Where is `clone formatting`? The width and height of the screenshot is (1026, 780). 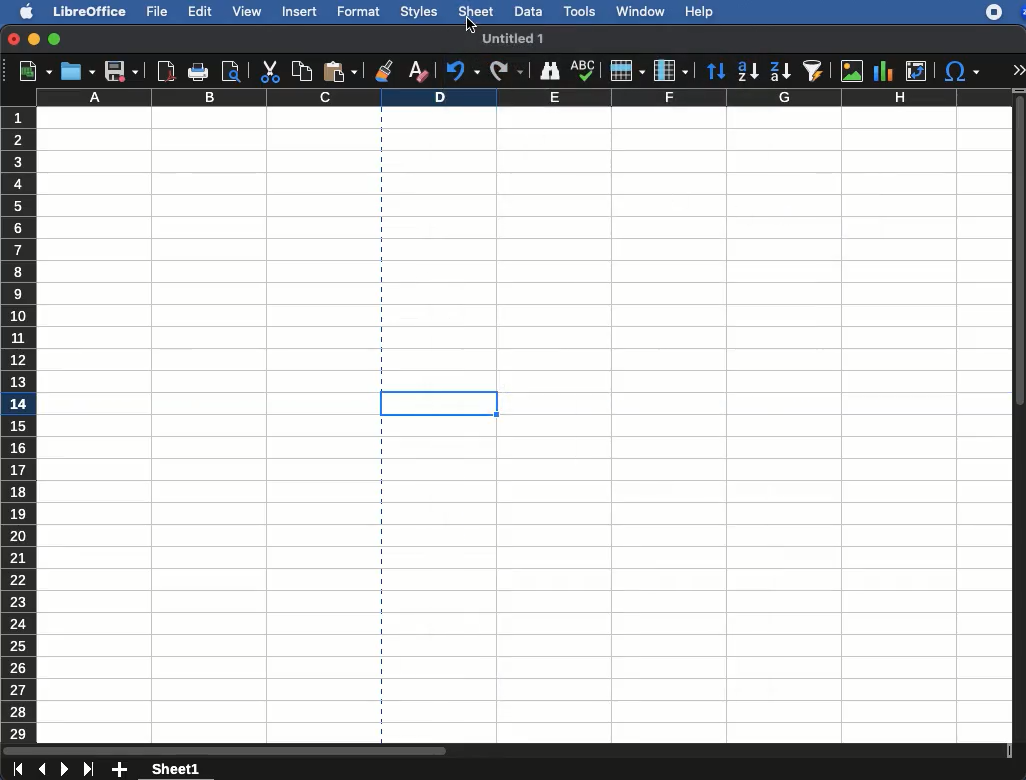
clone formatting is located at coordinates (385, 70).